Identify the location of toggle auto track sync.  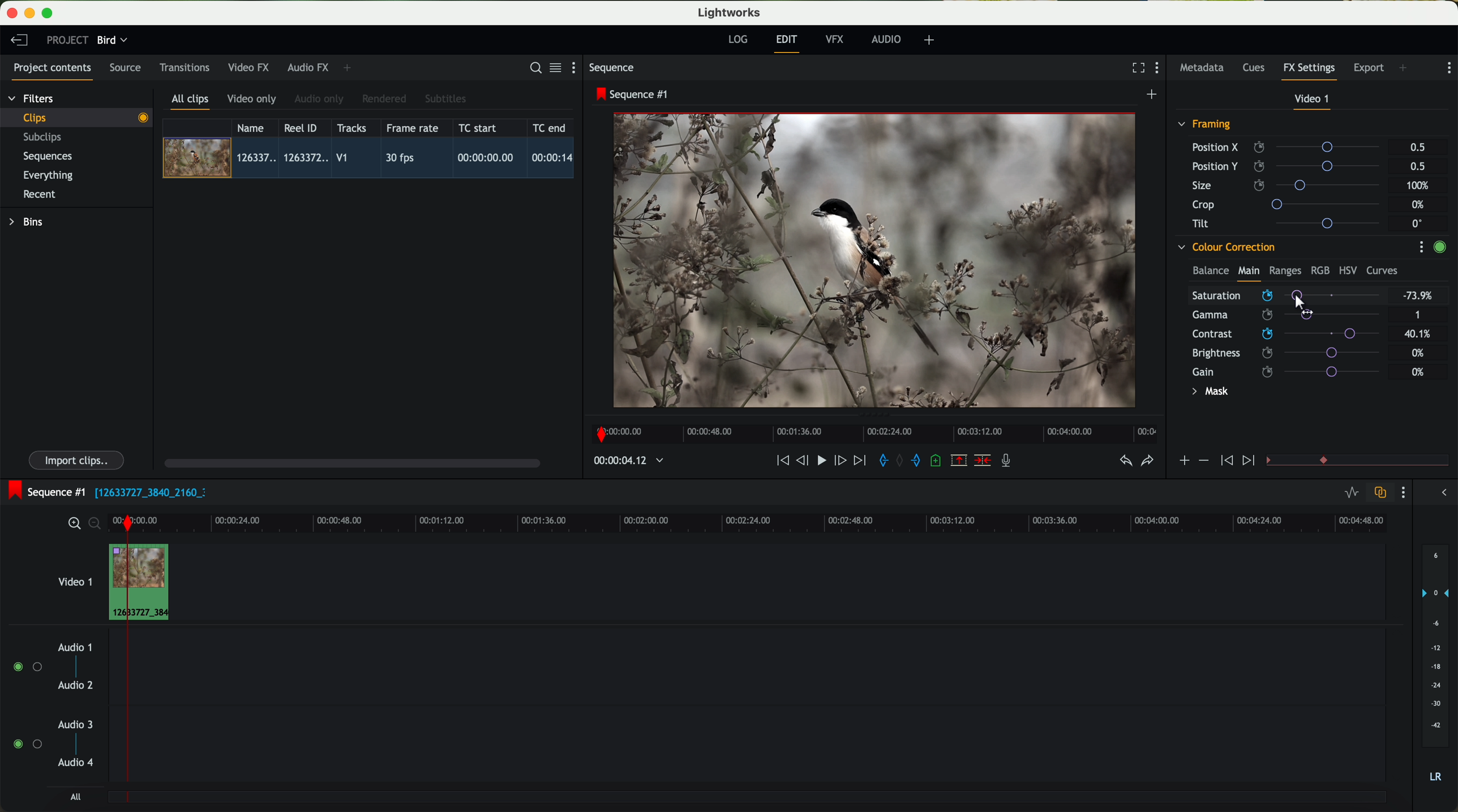
(1378, 493).